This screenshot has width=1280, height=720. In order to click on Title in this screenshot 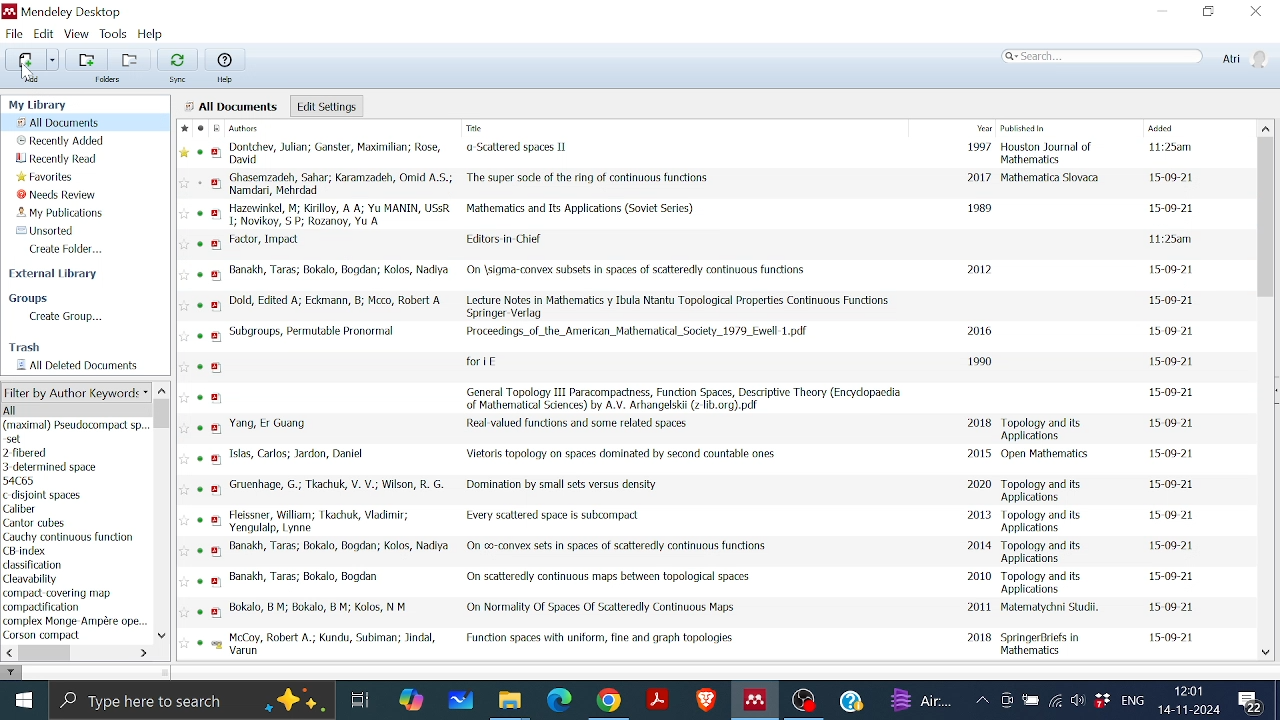, I will do `click(556, 516)`.